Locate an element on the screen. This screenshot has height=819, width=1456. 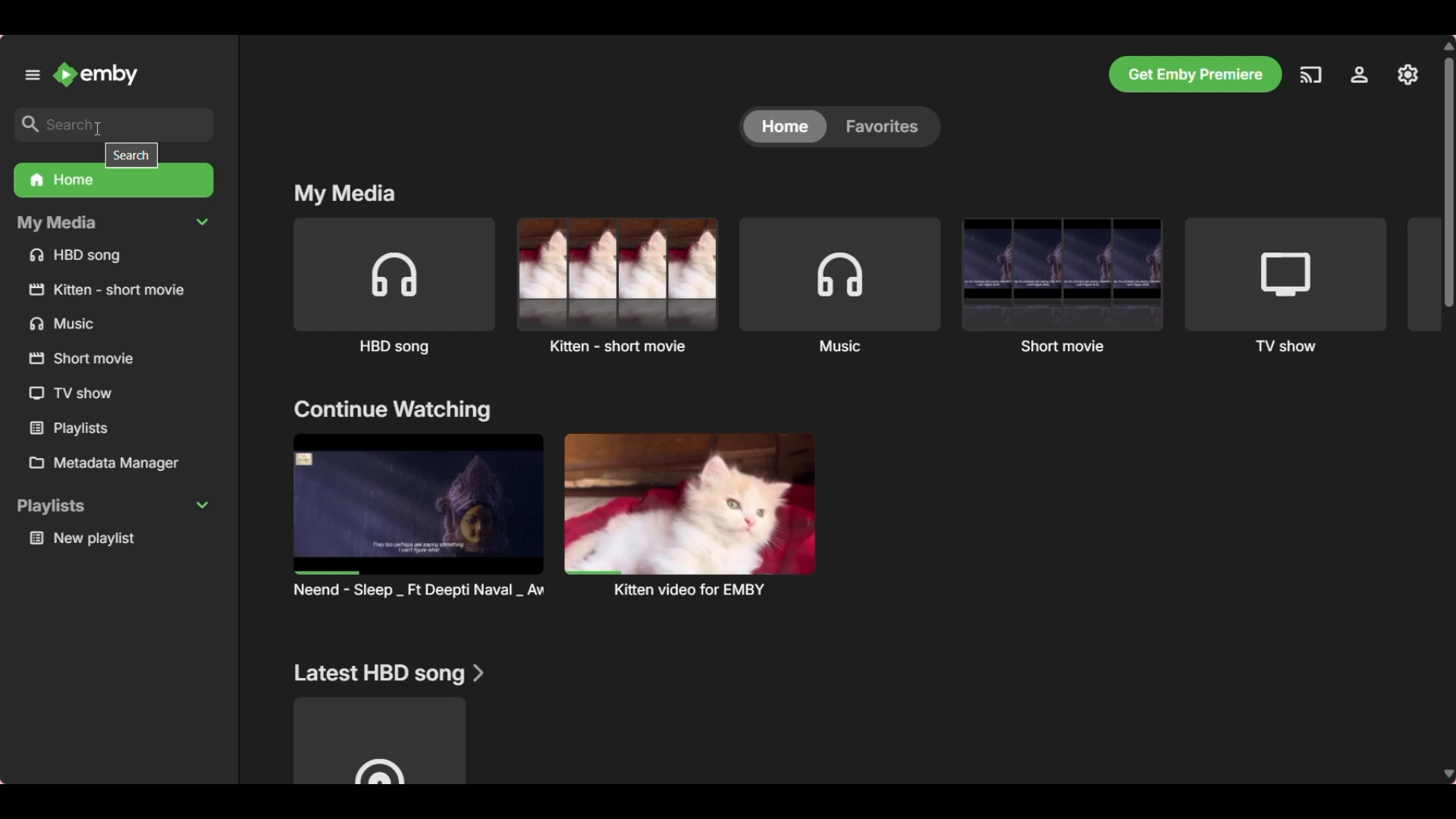
Collapse My Media is located at coordinates (111, 222).